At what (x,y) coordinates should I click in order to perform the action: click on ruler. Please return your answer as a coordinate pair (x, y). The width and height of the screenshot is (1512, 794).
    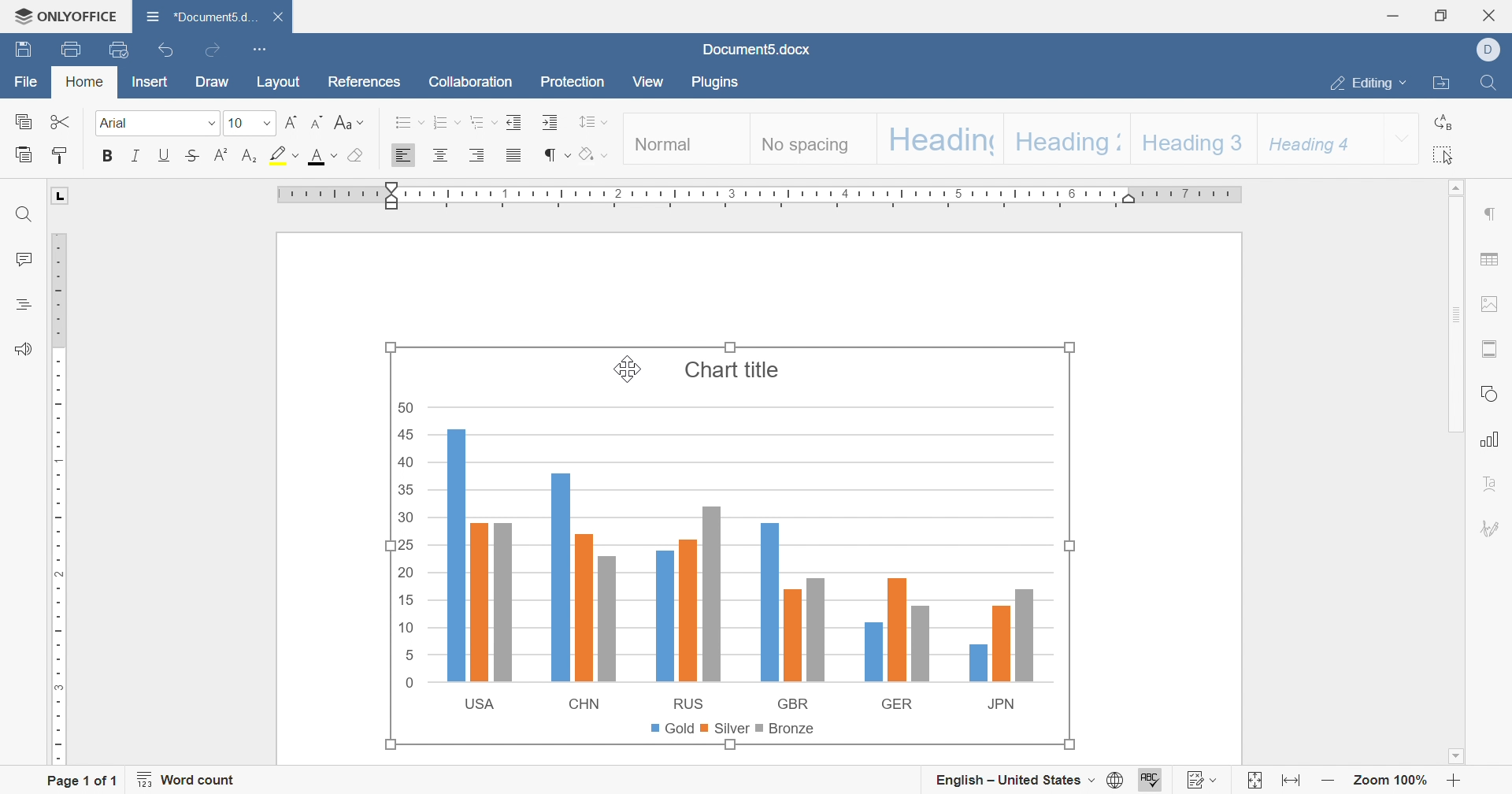
    Looking at the image, I should click on (761, 195).